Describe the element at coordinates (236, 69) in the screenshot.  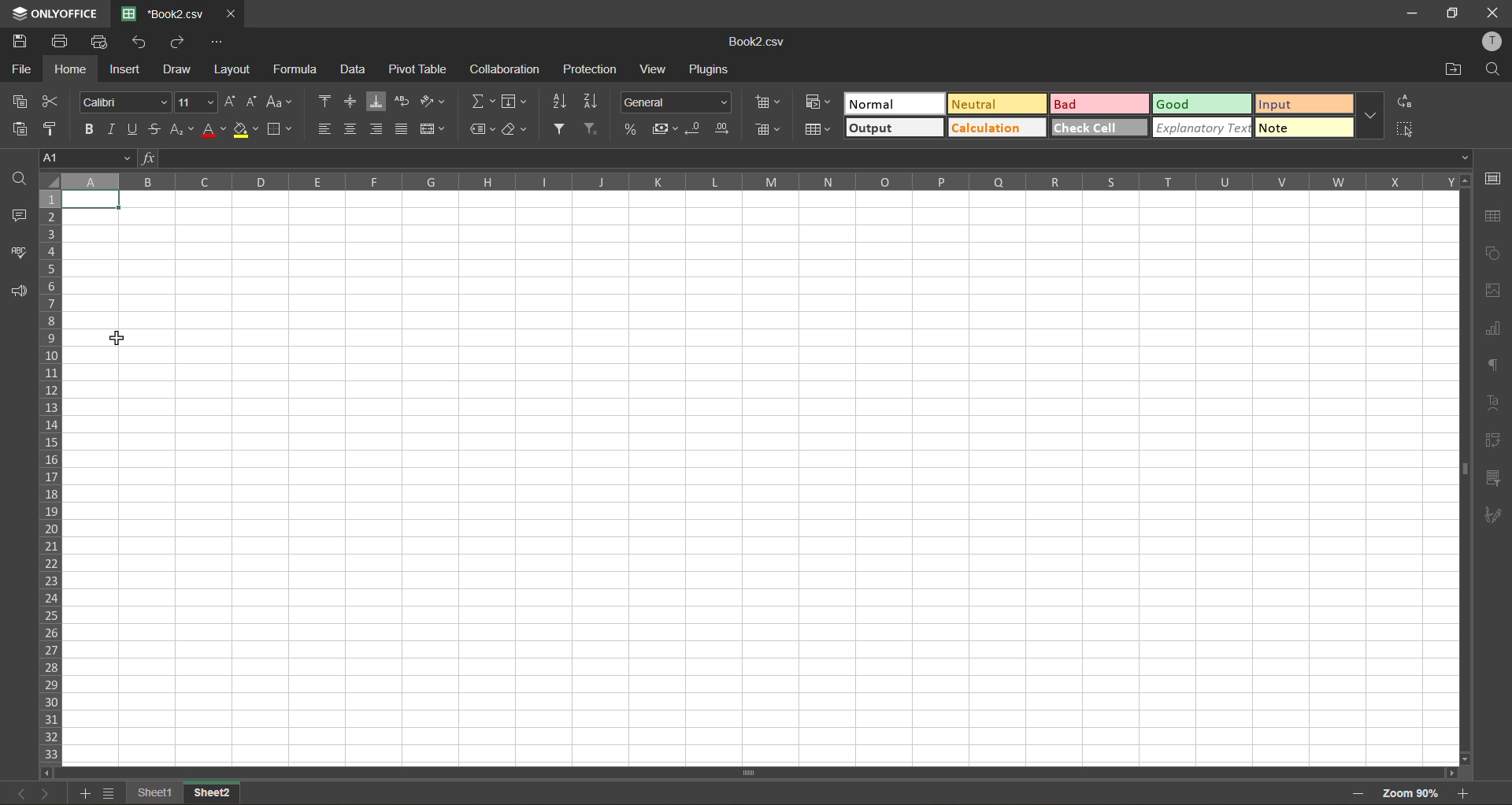
I see `layout` at that location.